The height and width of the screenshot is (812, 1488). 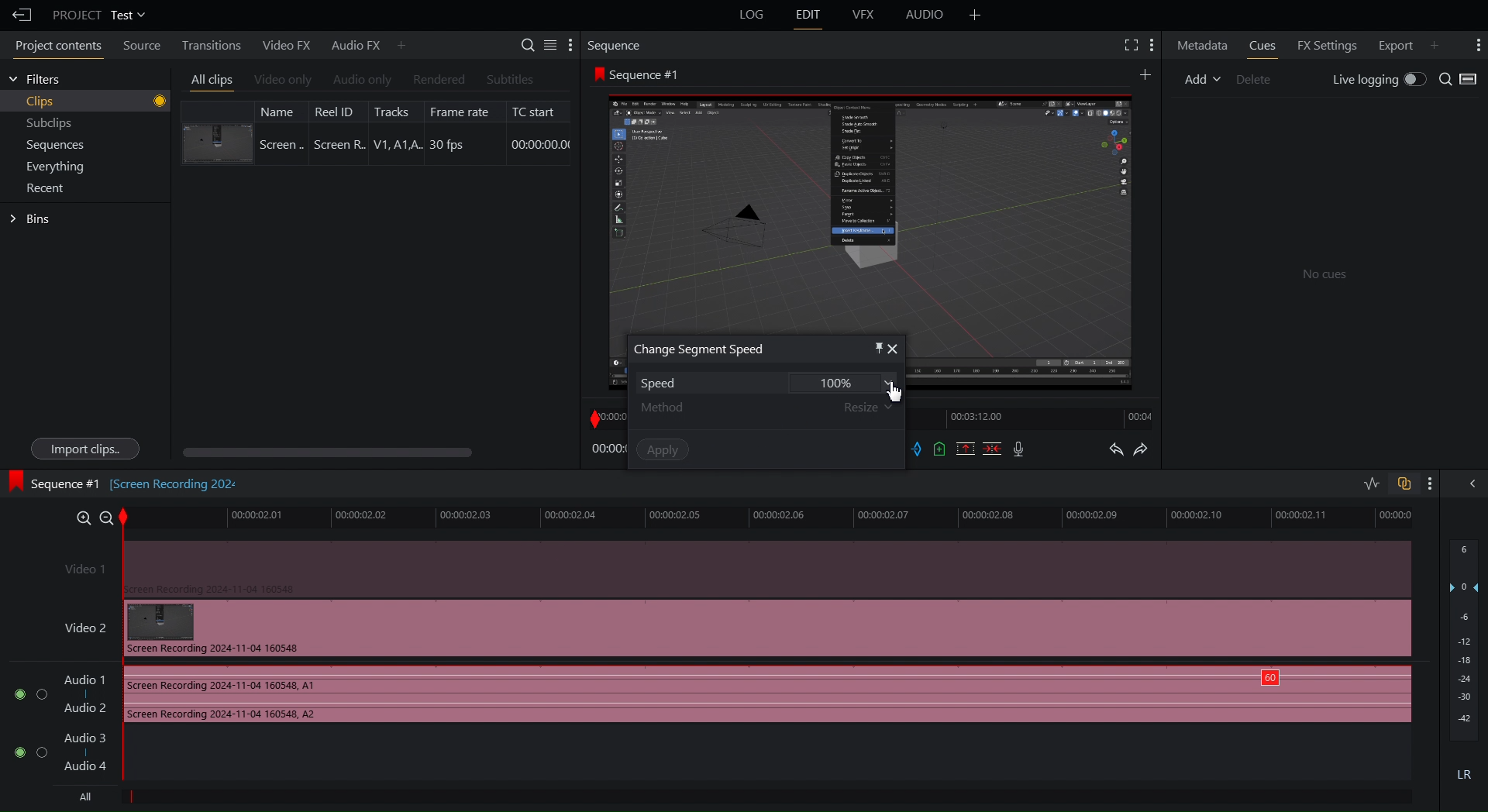 I want to click on Sequence #1, so click(x=640, y=74).